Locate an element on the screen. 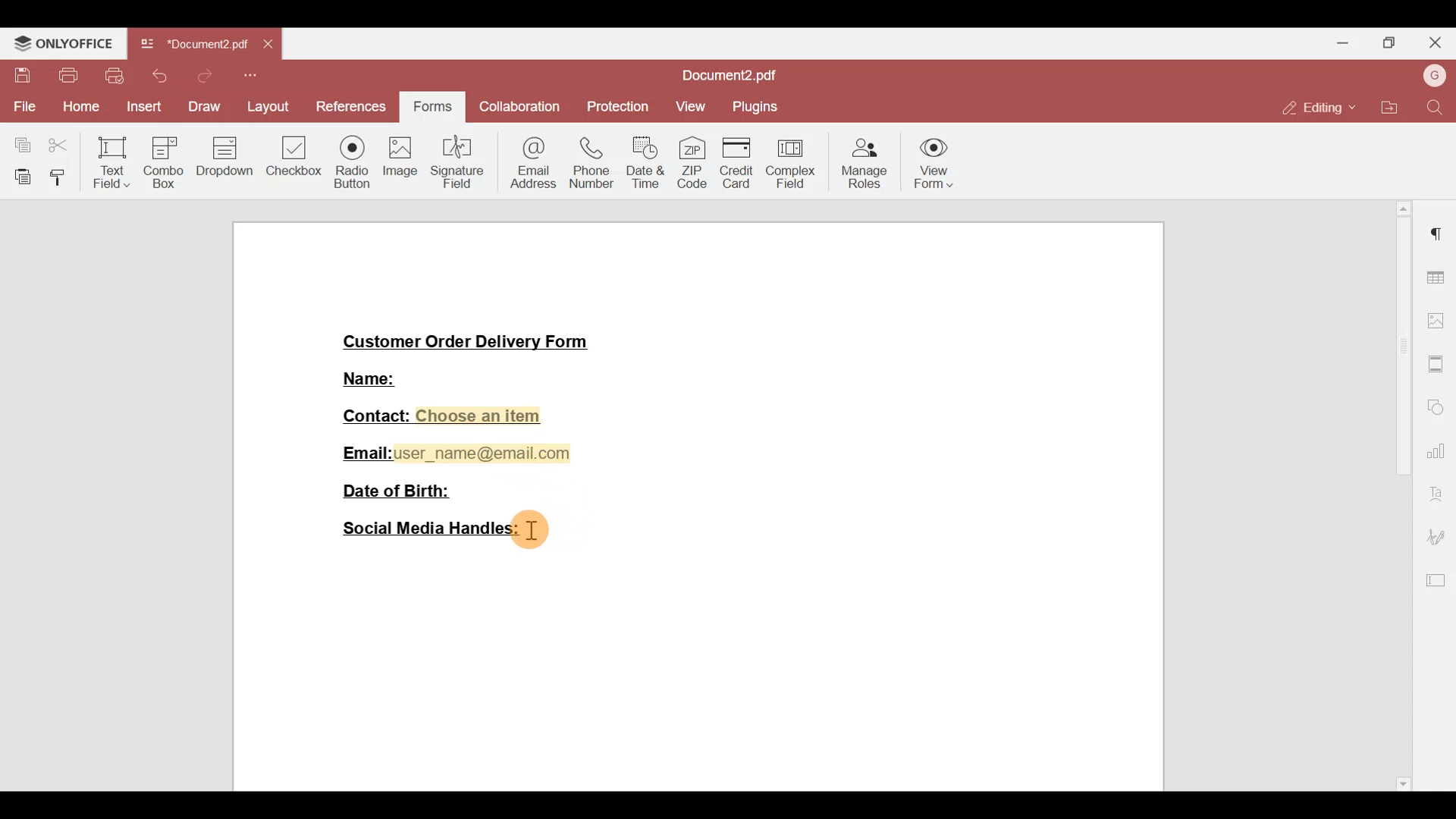 The width and height of the screenshot is (1456, 819). Table settings is located at coordinates (1438, 275).